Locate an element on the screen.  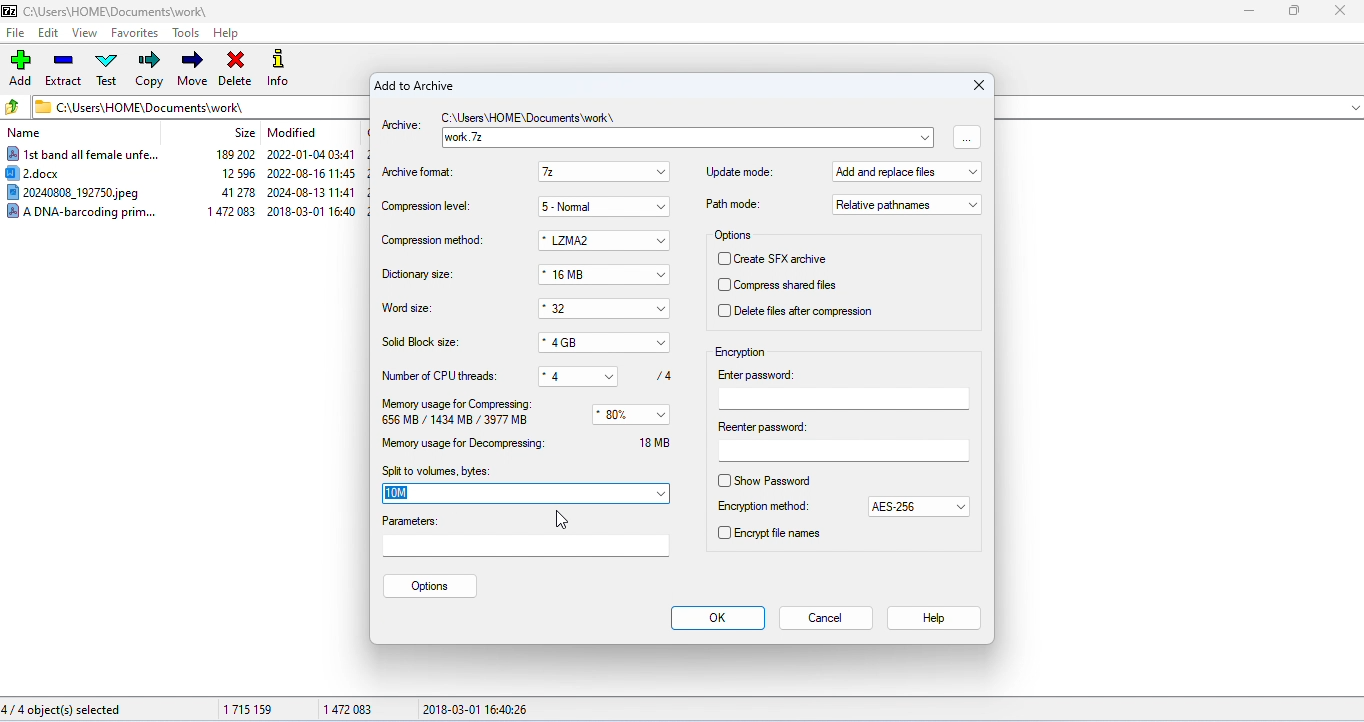
4/4 object(s) selected is located at coordinates (62, 710).